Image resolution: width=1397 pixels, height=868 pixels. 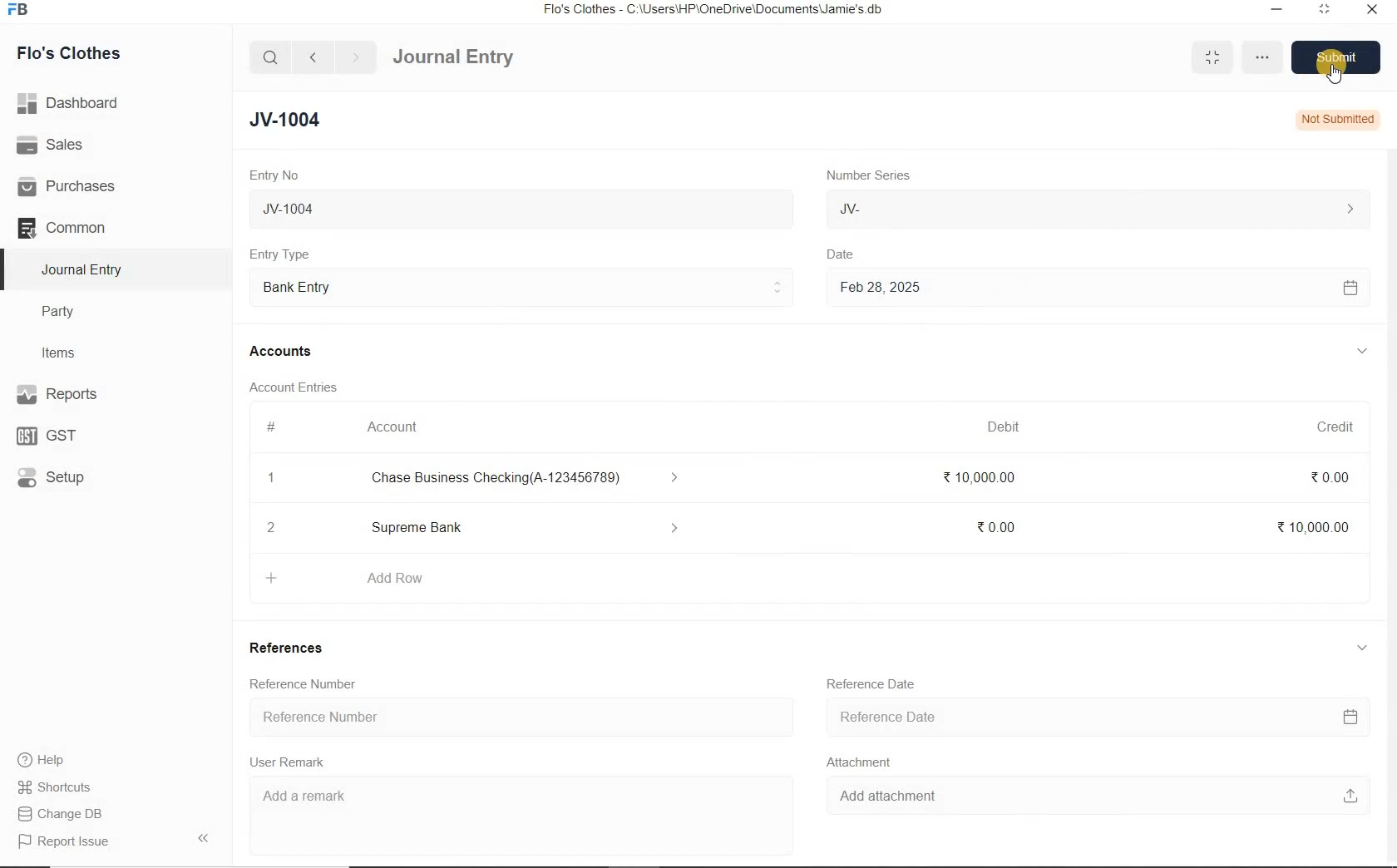 What do you see at coordinates (879, 689) in the screenshot?
I see `Reference Date` at bounding box center [879, 689].